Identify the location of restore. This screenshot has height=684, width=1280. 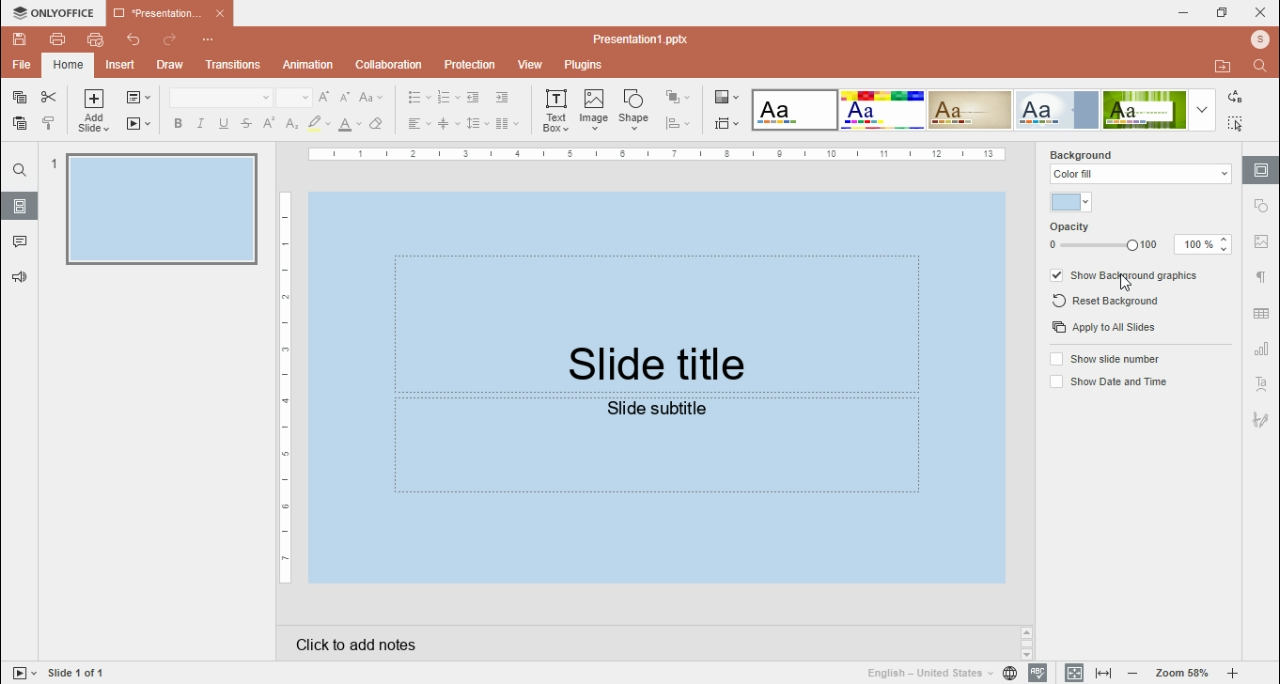
(1222, 12).